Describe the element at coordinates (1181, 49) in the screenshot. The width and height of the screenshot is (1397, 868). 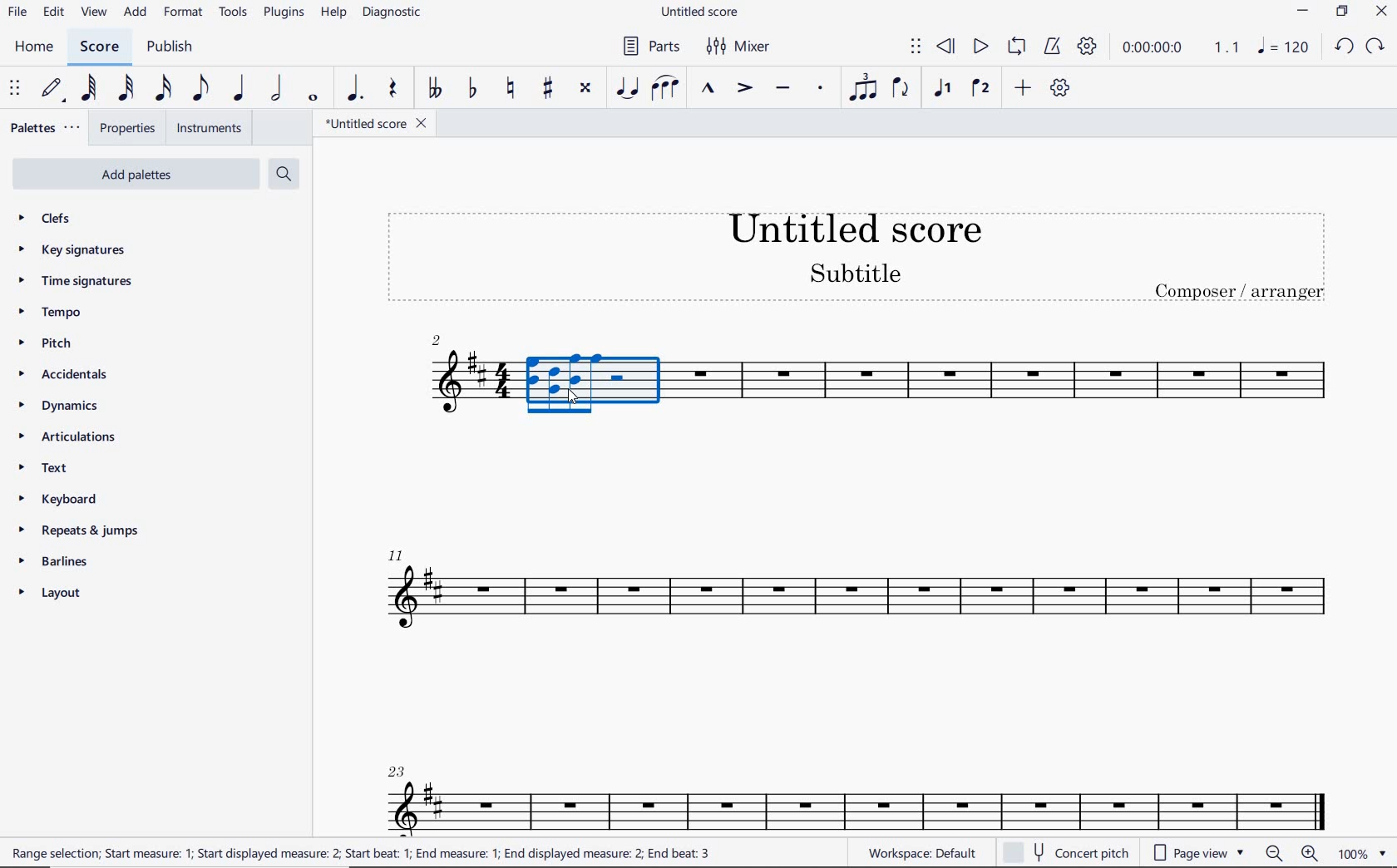
I see `PLAY SPEED` at that location.